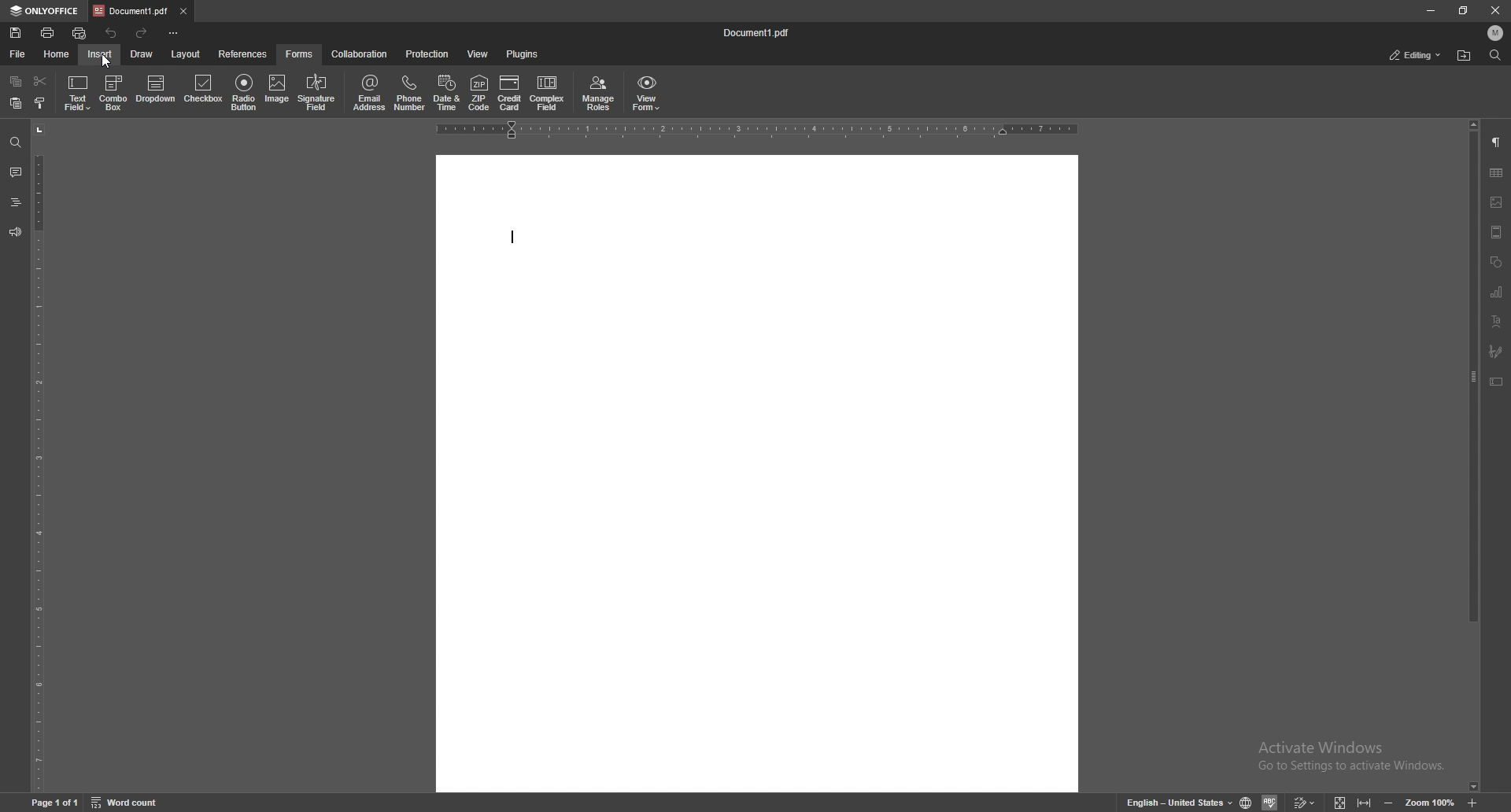 This screenshot has width=1511, height=812. What do you see at coordinates (478, 54) in the screenshot?
I see `view` at bounding box center [478, 54].